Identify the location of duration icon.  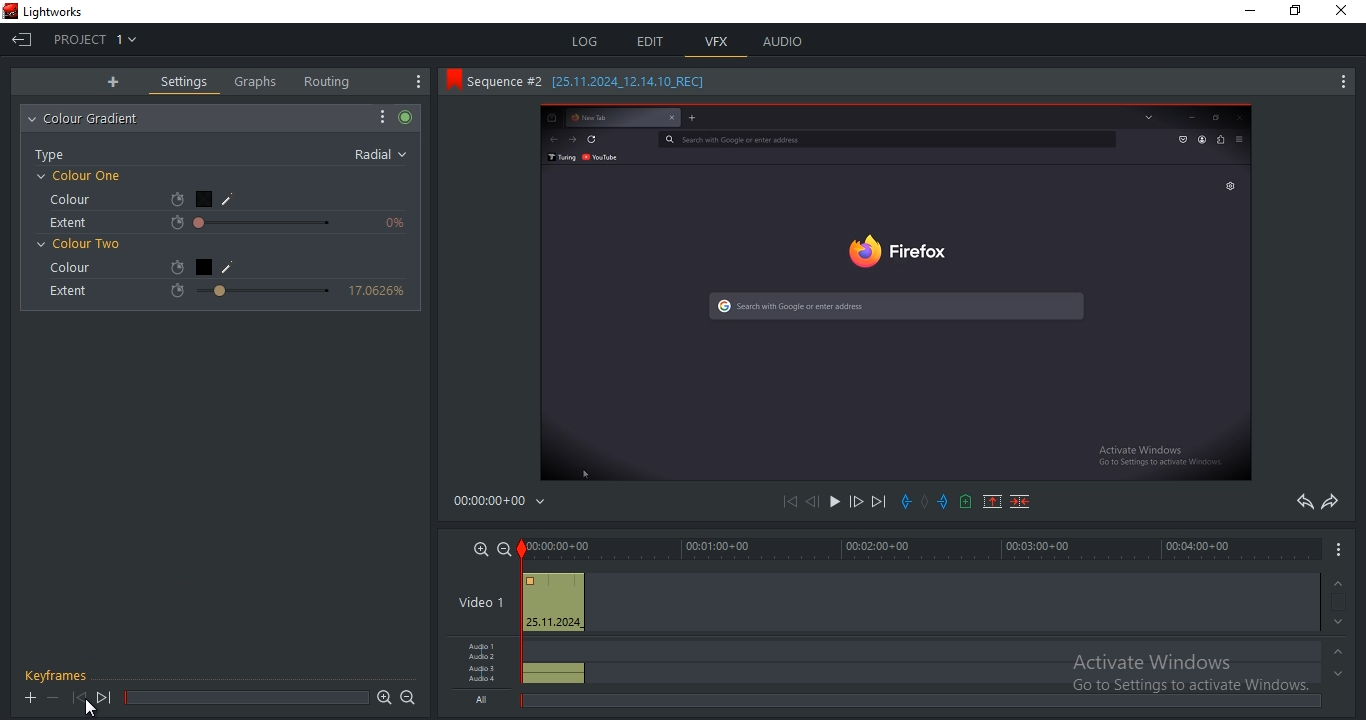
(173, 200).